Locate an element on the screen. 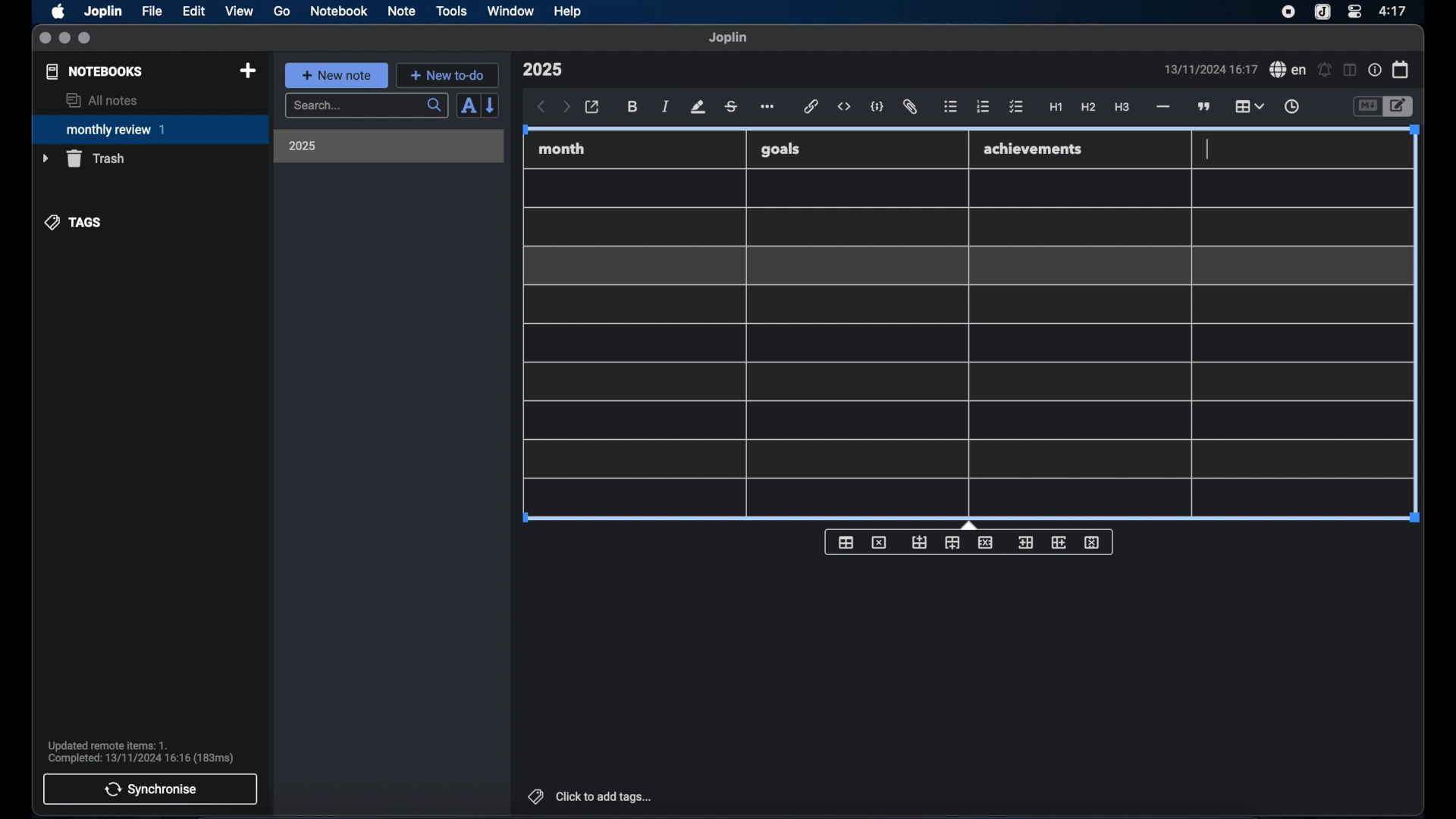  calendar is located at coordinates (1401, 69).